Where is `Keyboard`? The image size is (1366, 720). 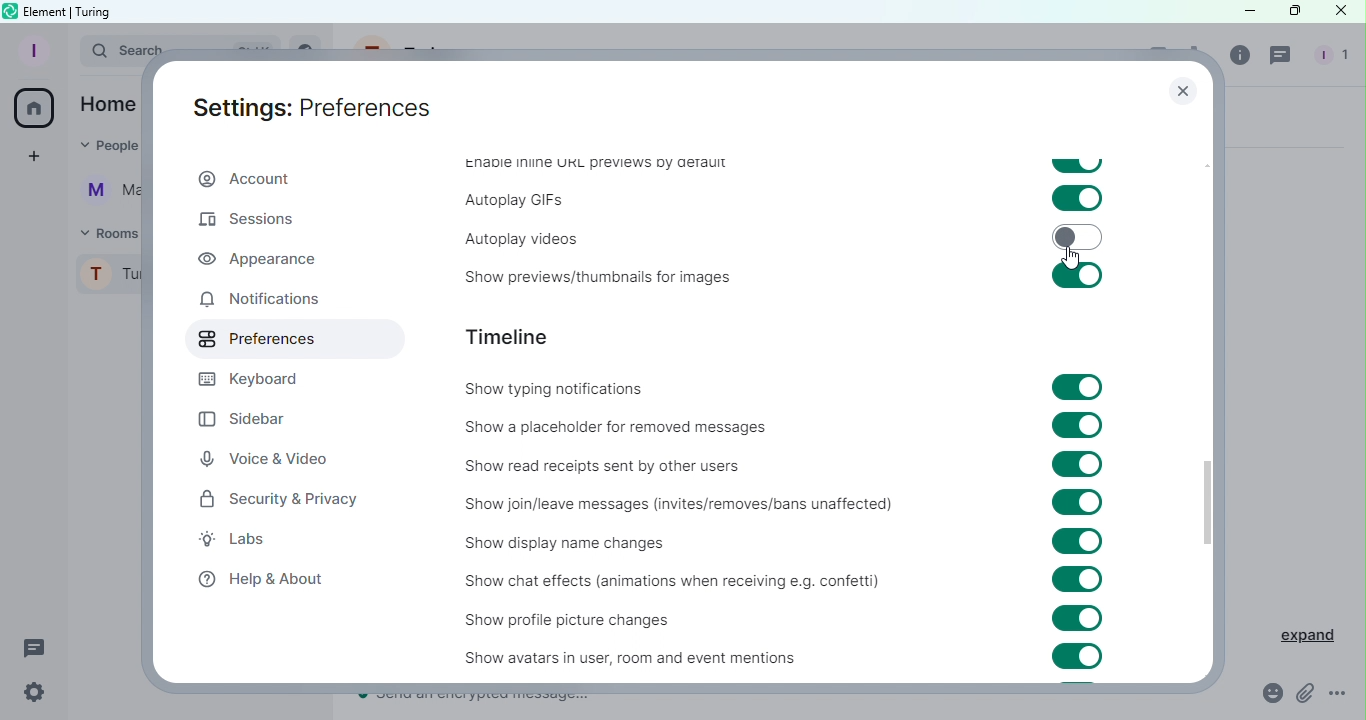
Keyboard is located at coordinates (259, 379).